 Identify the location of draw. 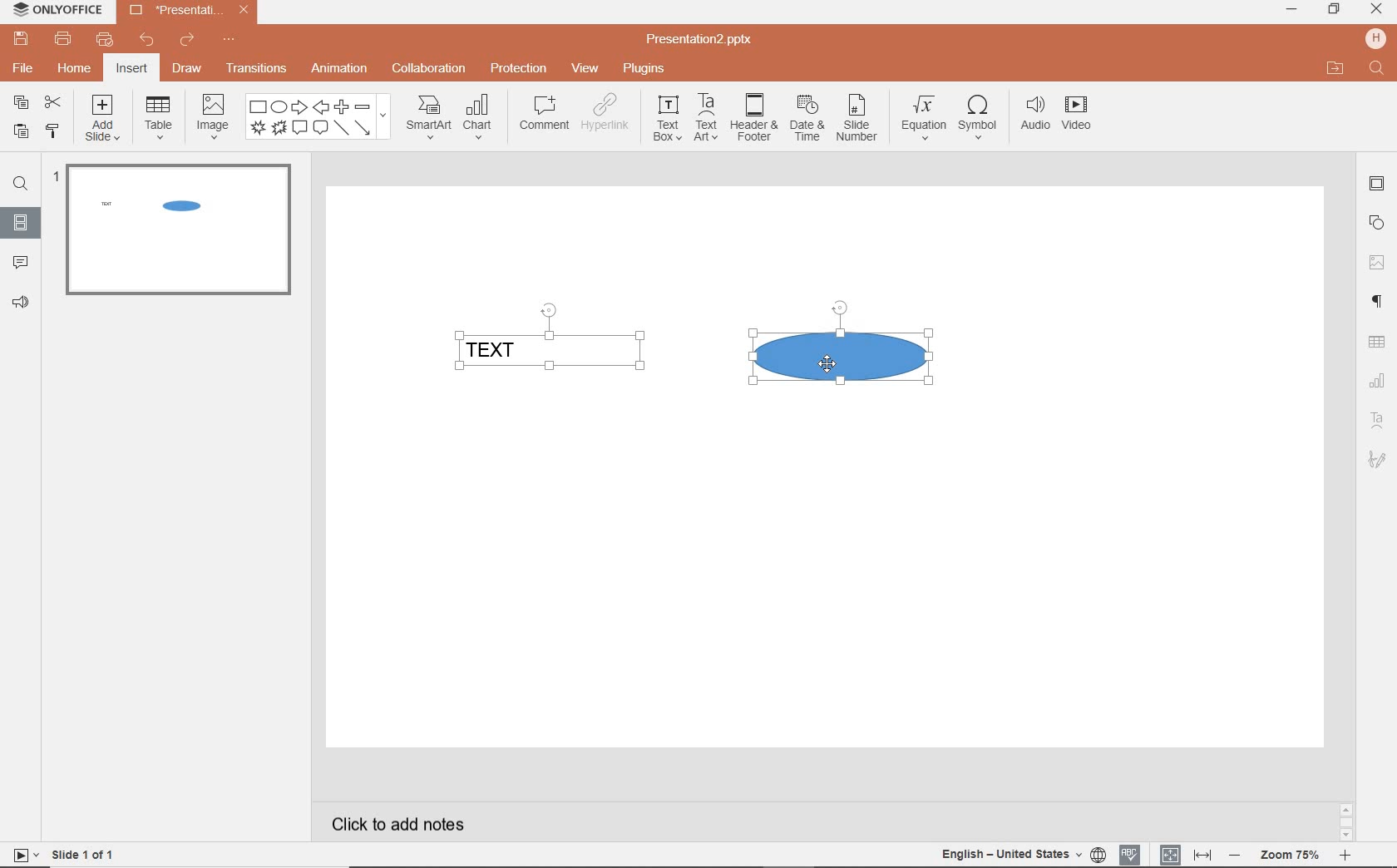
(190, 68).